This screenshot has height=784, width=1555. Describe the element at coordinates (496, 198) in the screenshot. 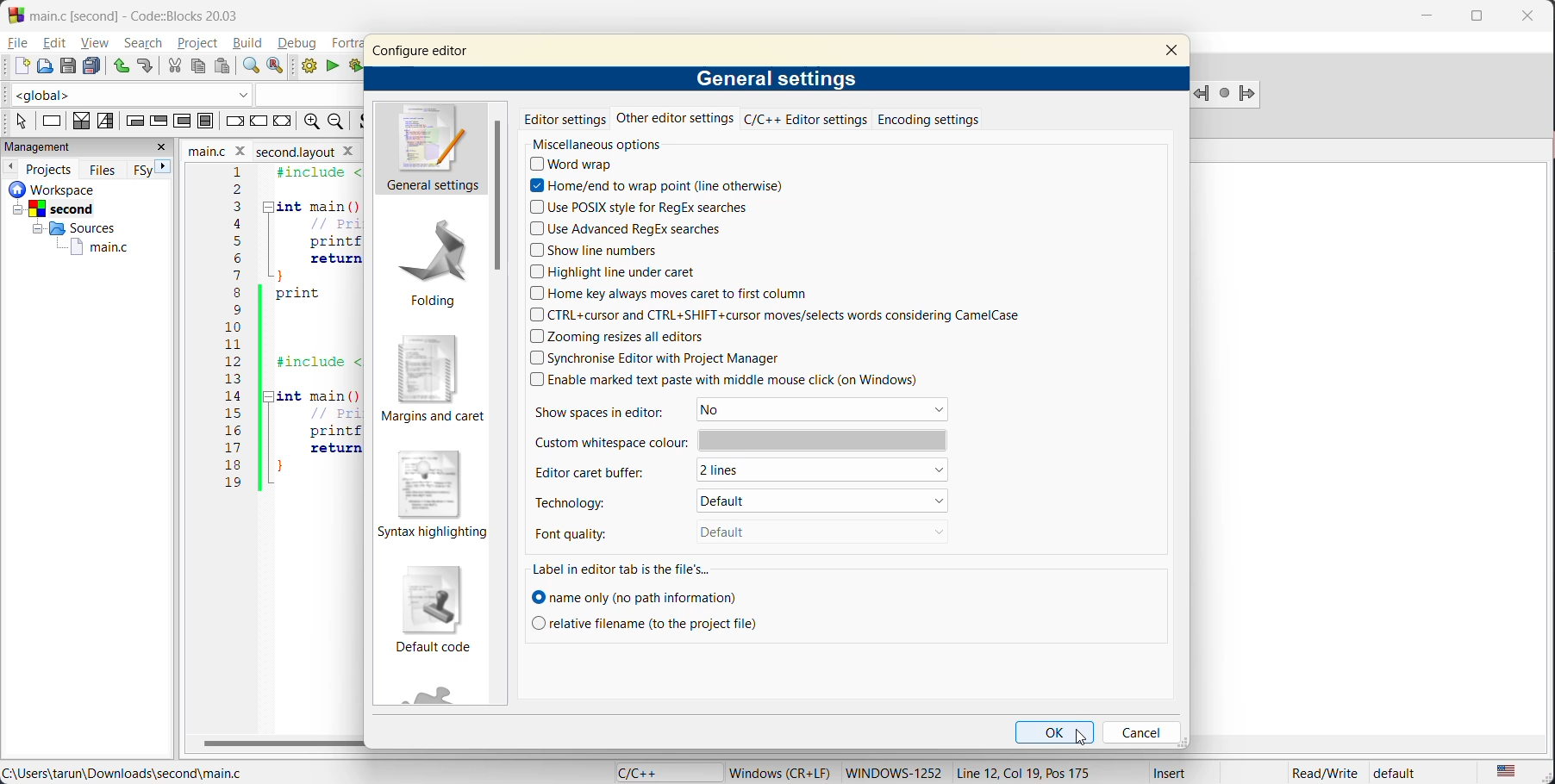

I see `vertical scroll bar` at that location.